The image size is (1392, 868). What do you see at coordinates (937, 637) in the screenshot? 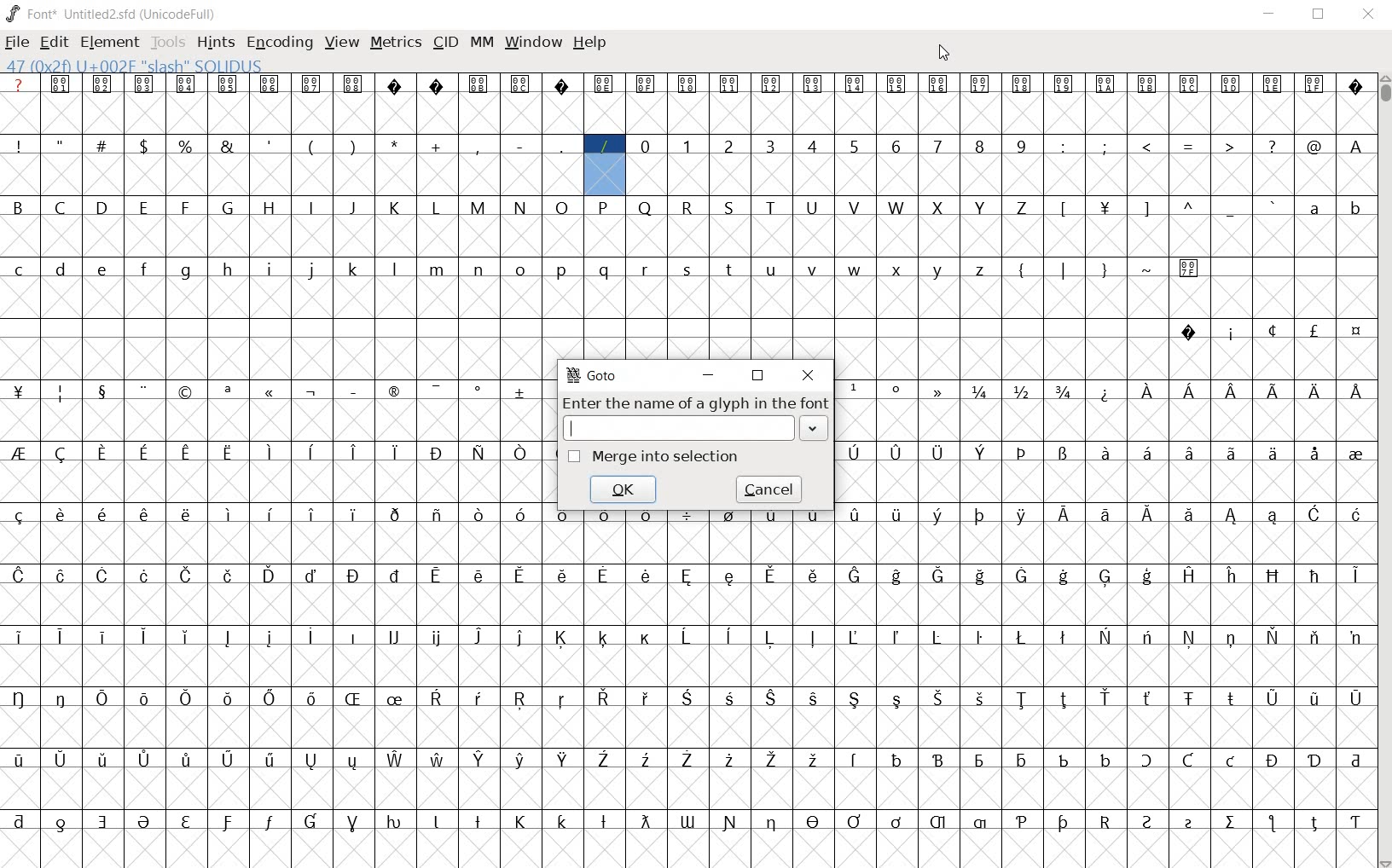
I see `glyph` at bounding box center [937, 637].